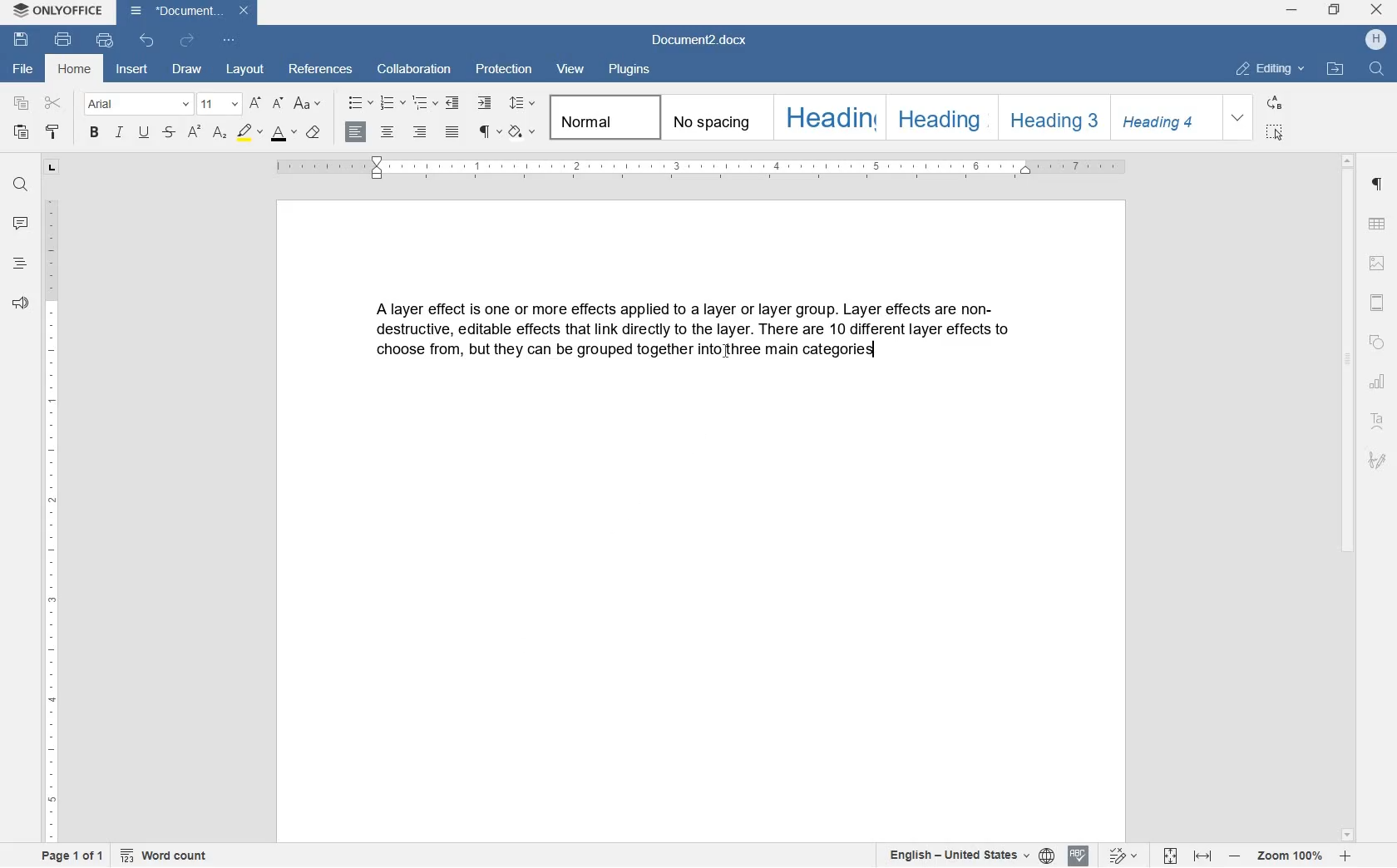  What do you see at coordinates (230, 43) in the screenshot?
I see `customize quick access toolbar` at bounding box center [230, 43].